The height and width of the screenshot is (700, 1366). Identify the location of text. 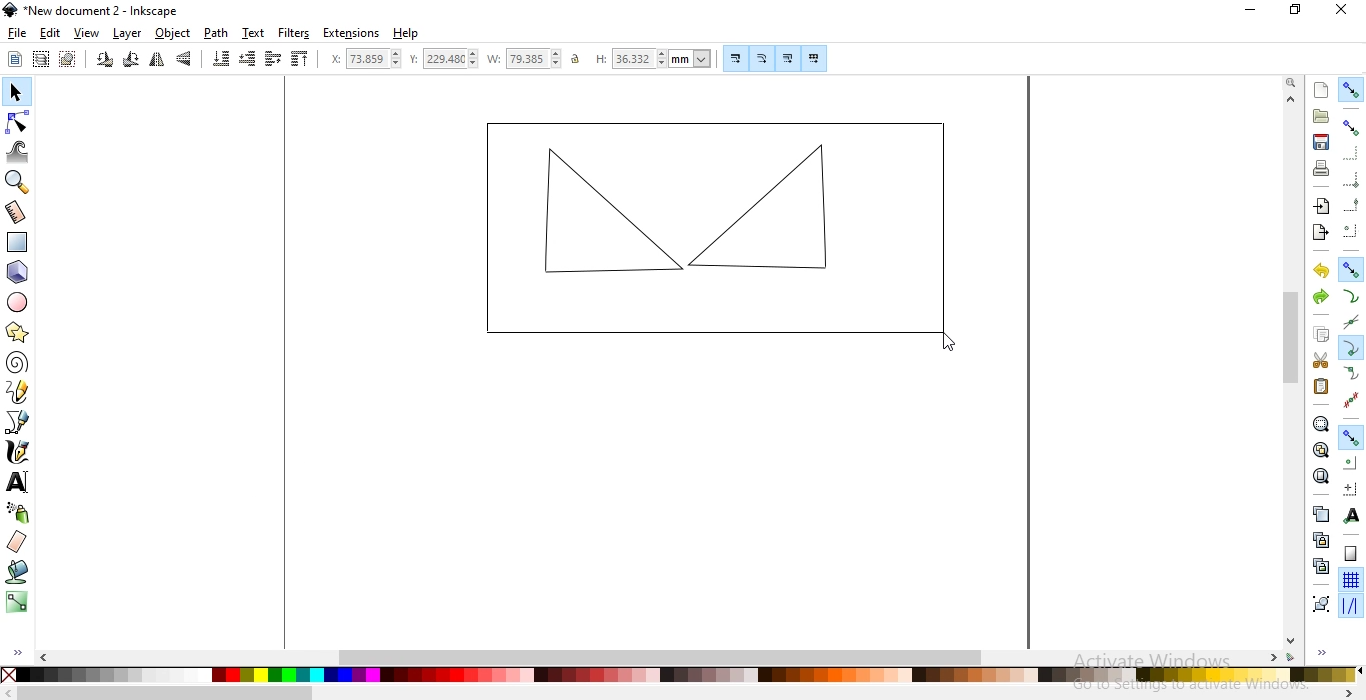
(254, 33).